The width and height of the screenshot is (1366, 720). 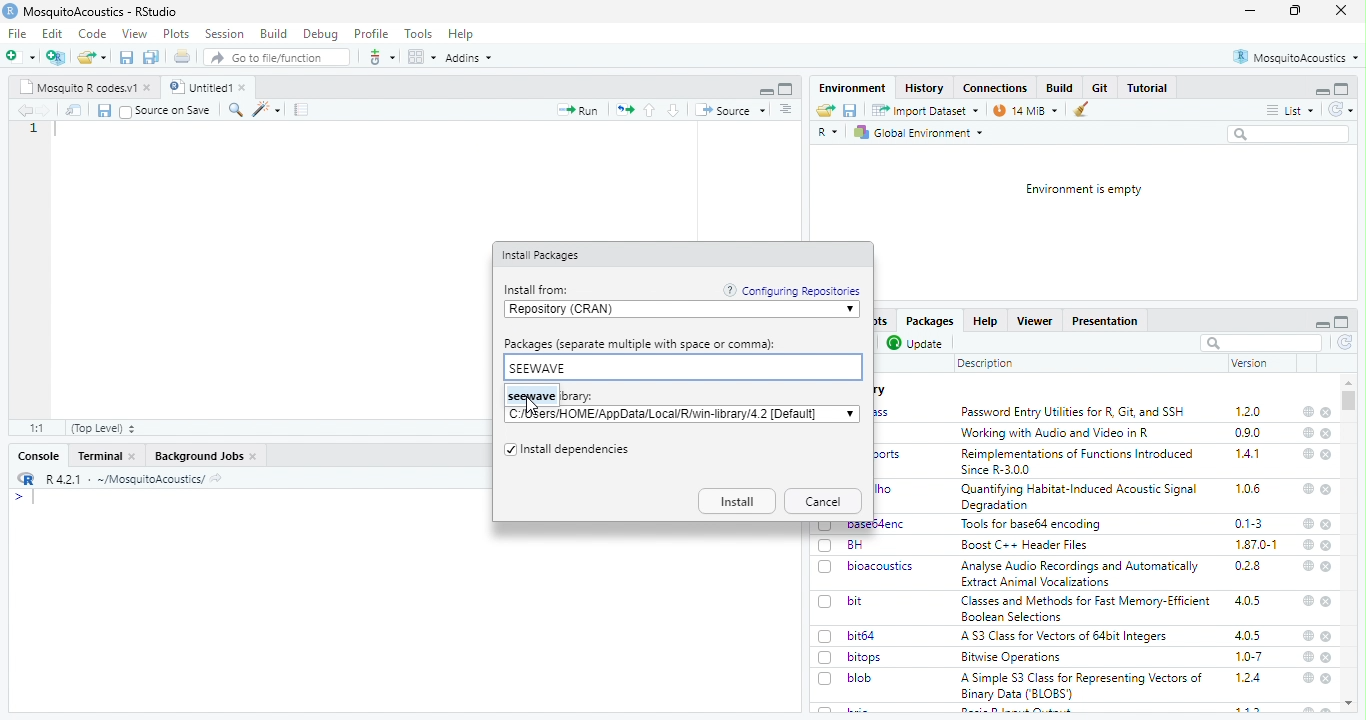 What do you see at coordinates (56, 57) in the screenshot?
I see `add file` at bounding box center [56, 57].